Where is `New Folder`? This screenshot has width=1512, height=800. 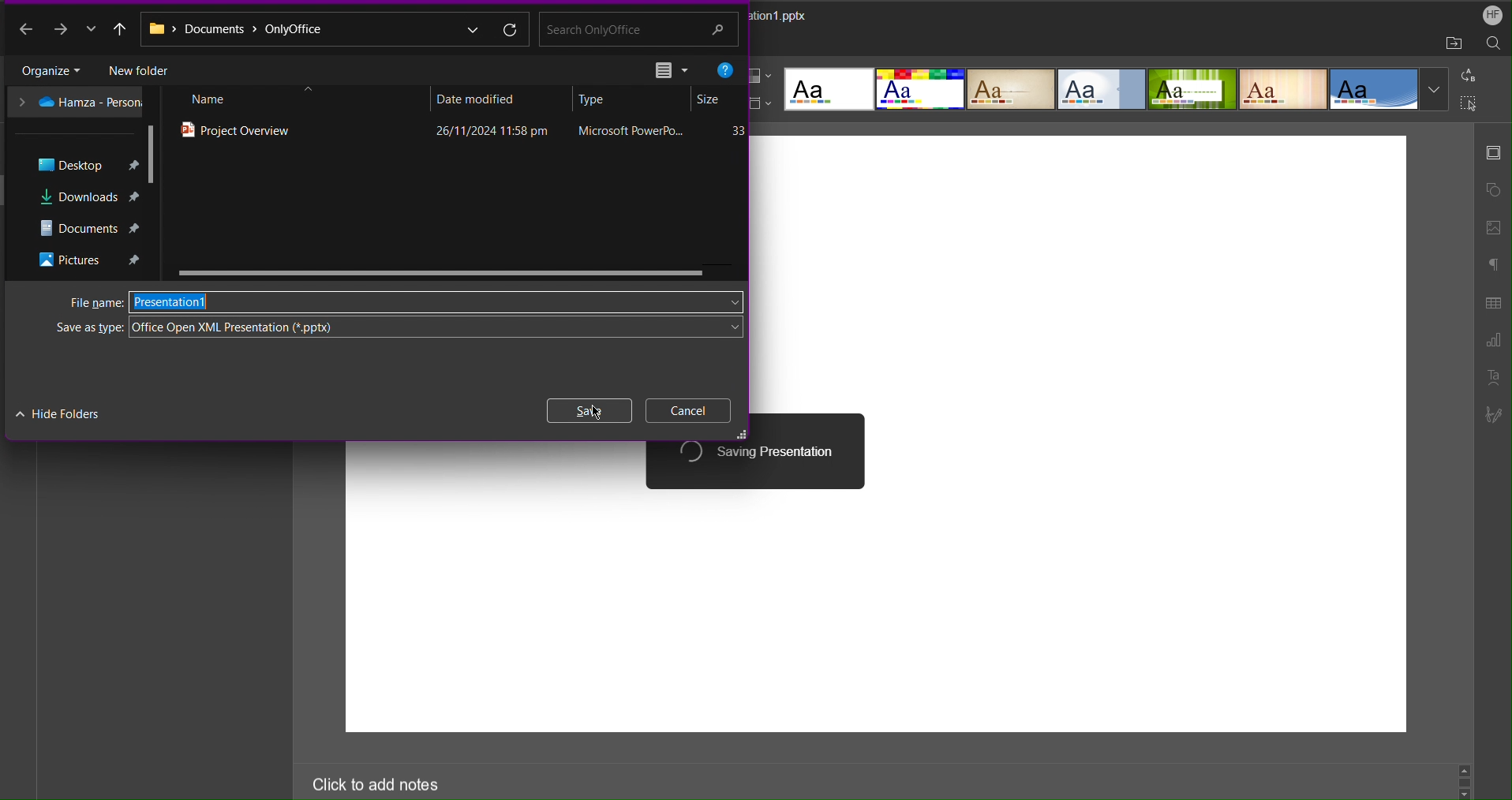
New Folder is located at coordinates (137, 70).